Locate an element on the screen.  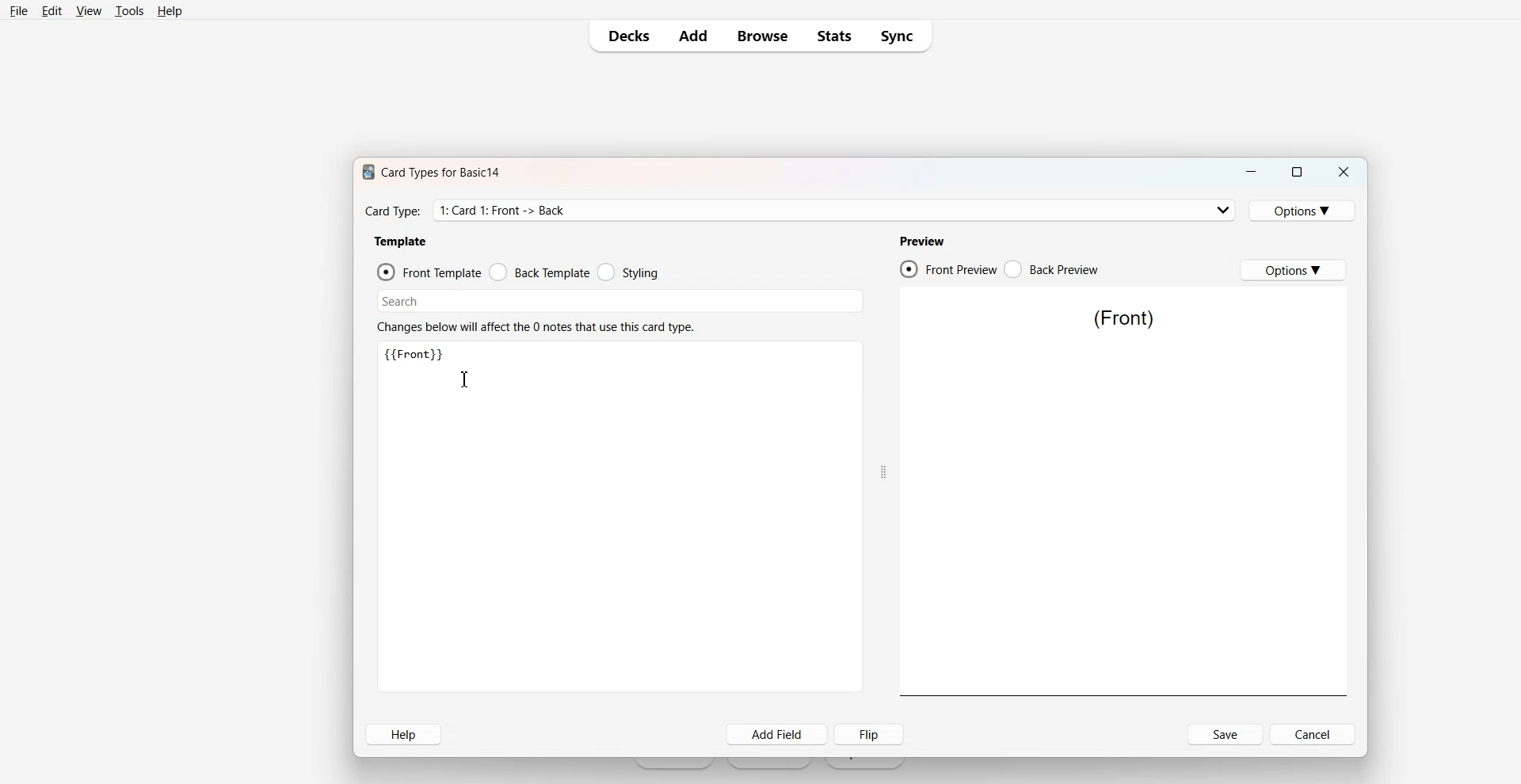
Software logo is located at coordinates (367, 173).